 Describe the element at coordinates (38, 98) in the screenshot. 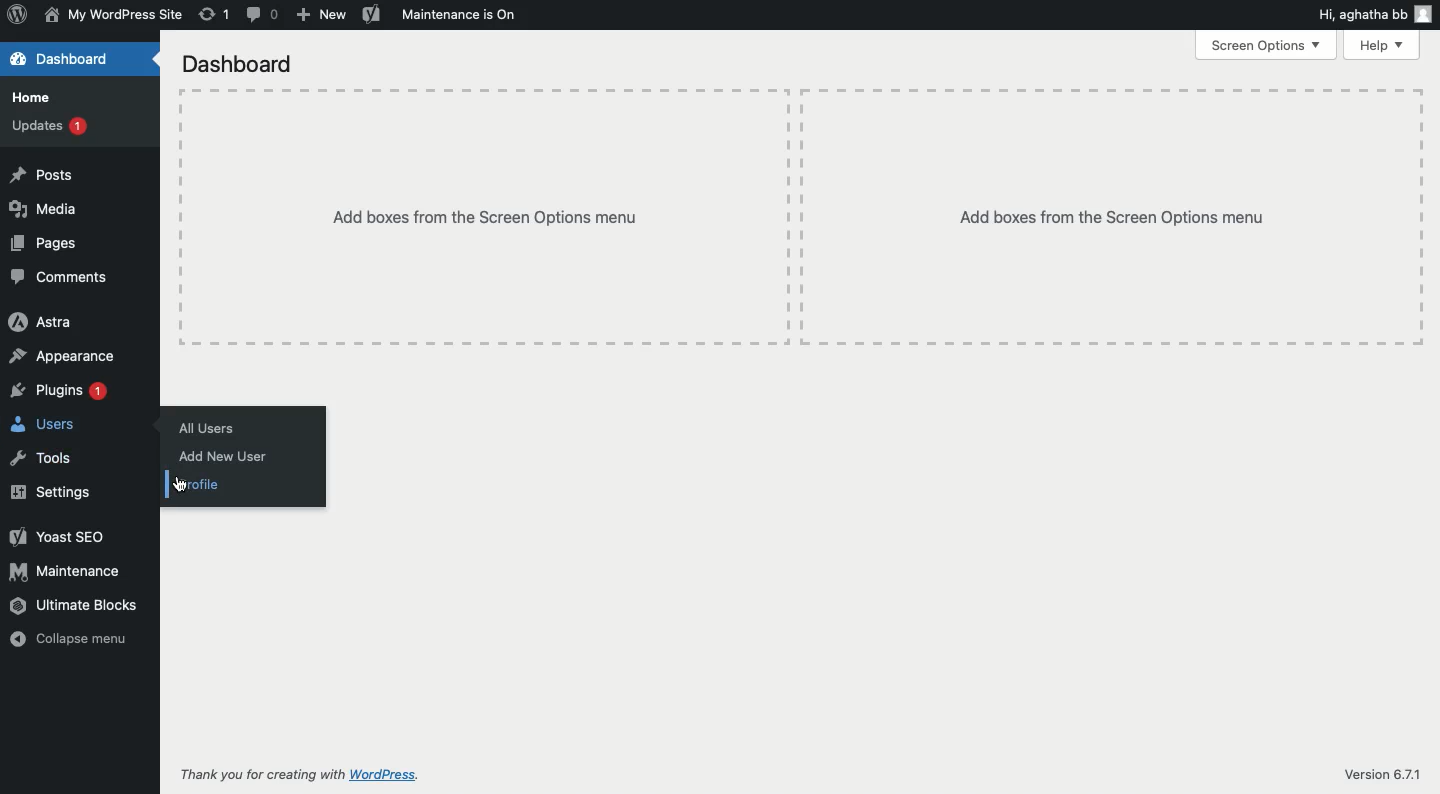

I see `Home` at that location.